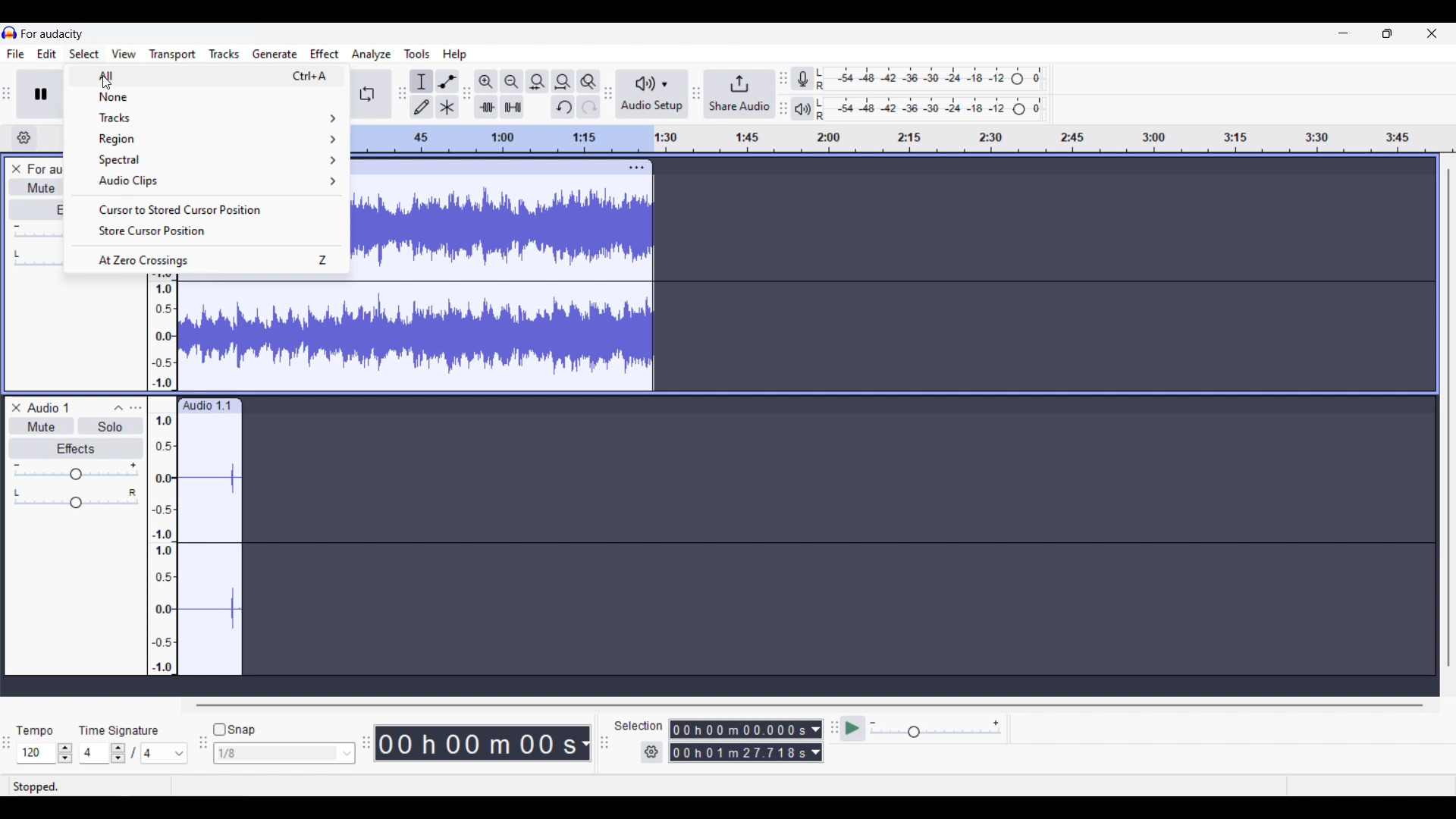  What do you see at coordinates (108, 83) in the screenshot?
I see `cursor` at bounding box center [108, 83].